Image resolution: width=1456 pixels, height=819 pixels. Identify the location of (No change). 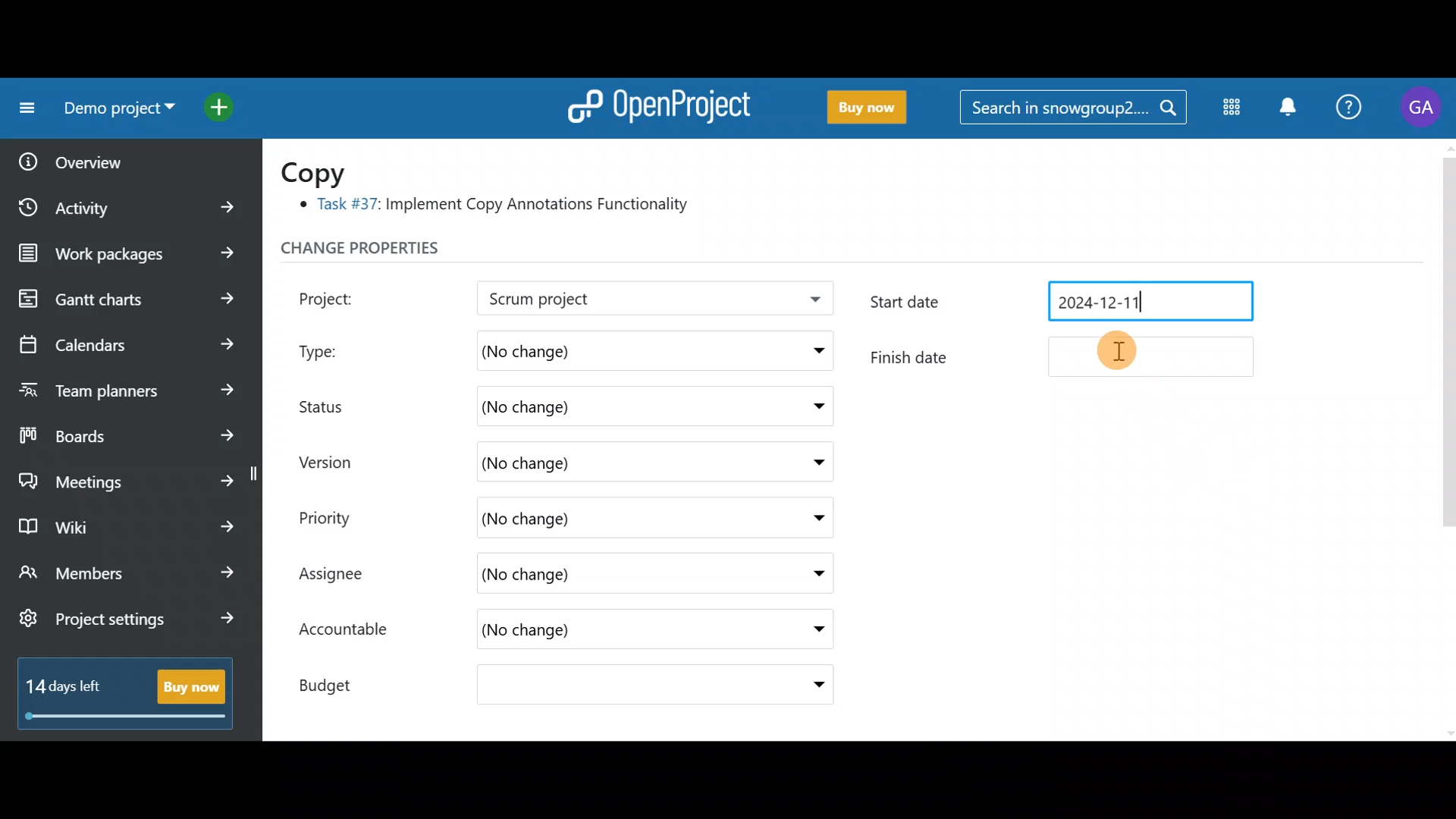
(582, 632).